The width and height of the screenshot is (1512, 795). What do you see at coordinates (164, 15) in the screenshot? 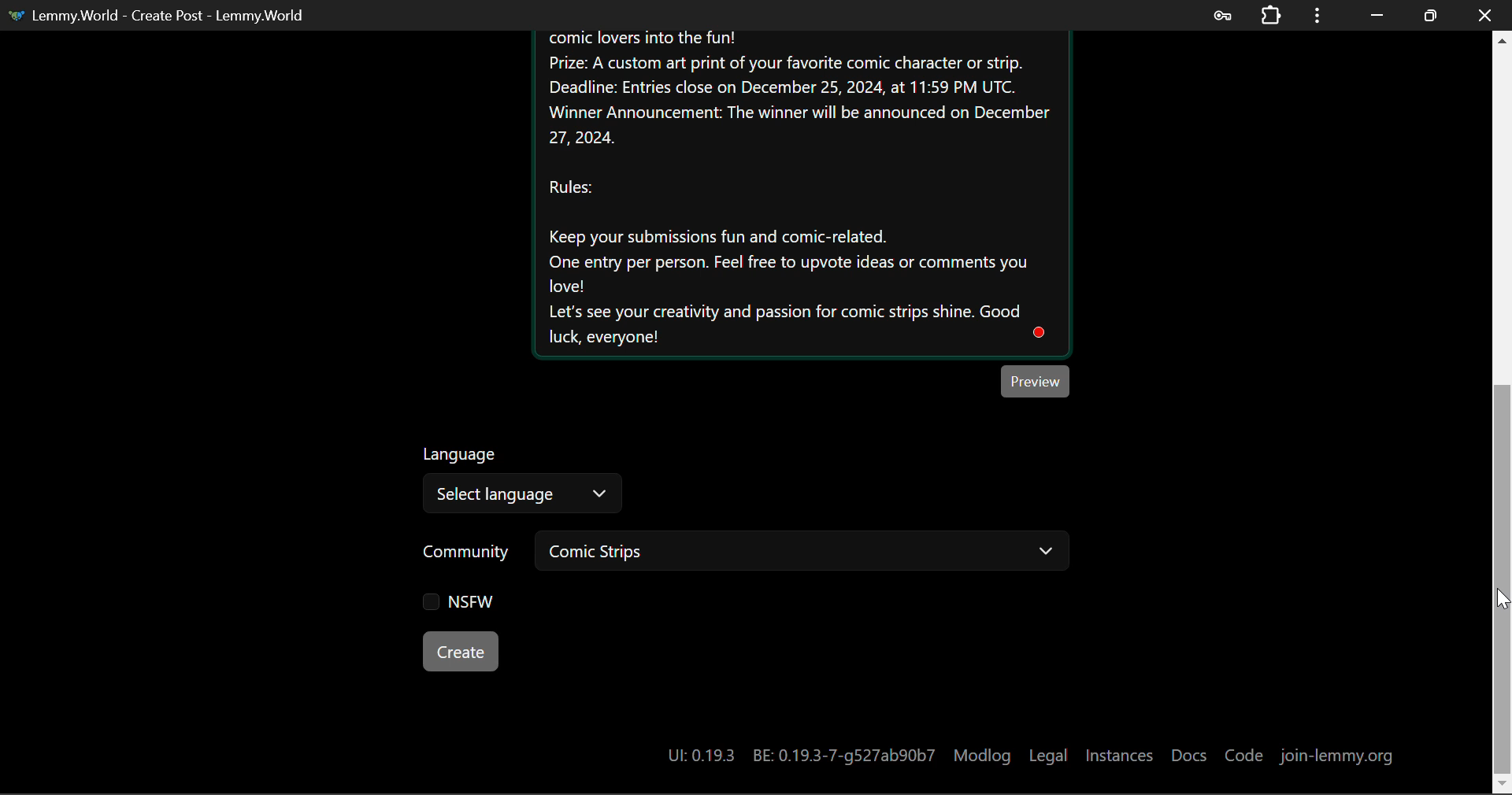
I see `Lemmy.World- Create Post - Lemmy.World` at bounding box center [164, 15].